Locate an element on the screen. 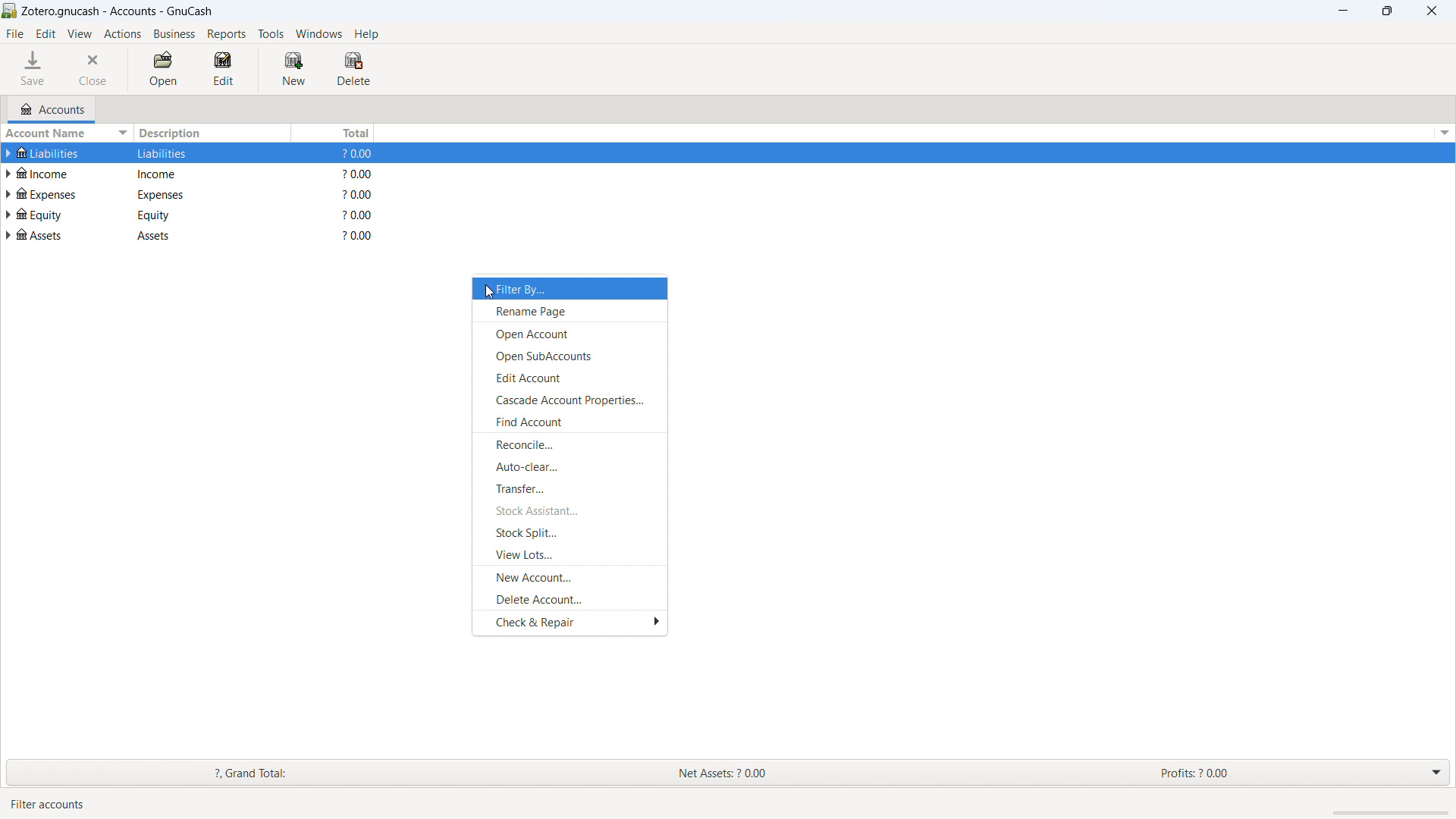 The height and width of the screenshot is (819, 1456). new account is located at coordinates (569, 576).